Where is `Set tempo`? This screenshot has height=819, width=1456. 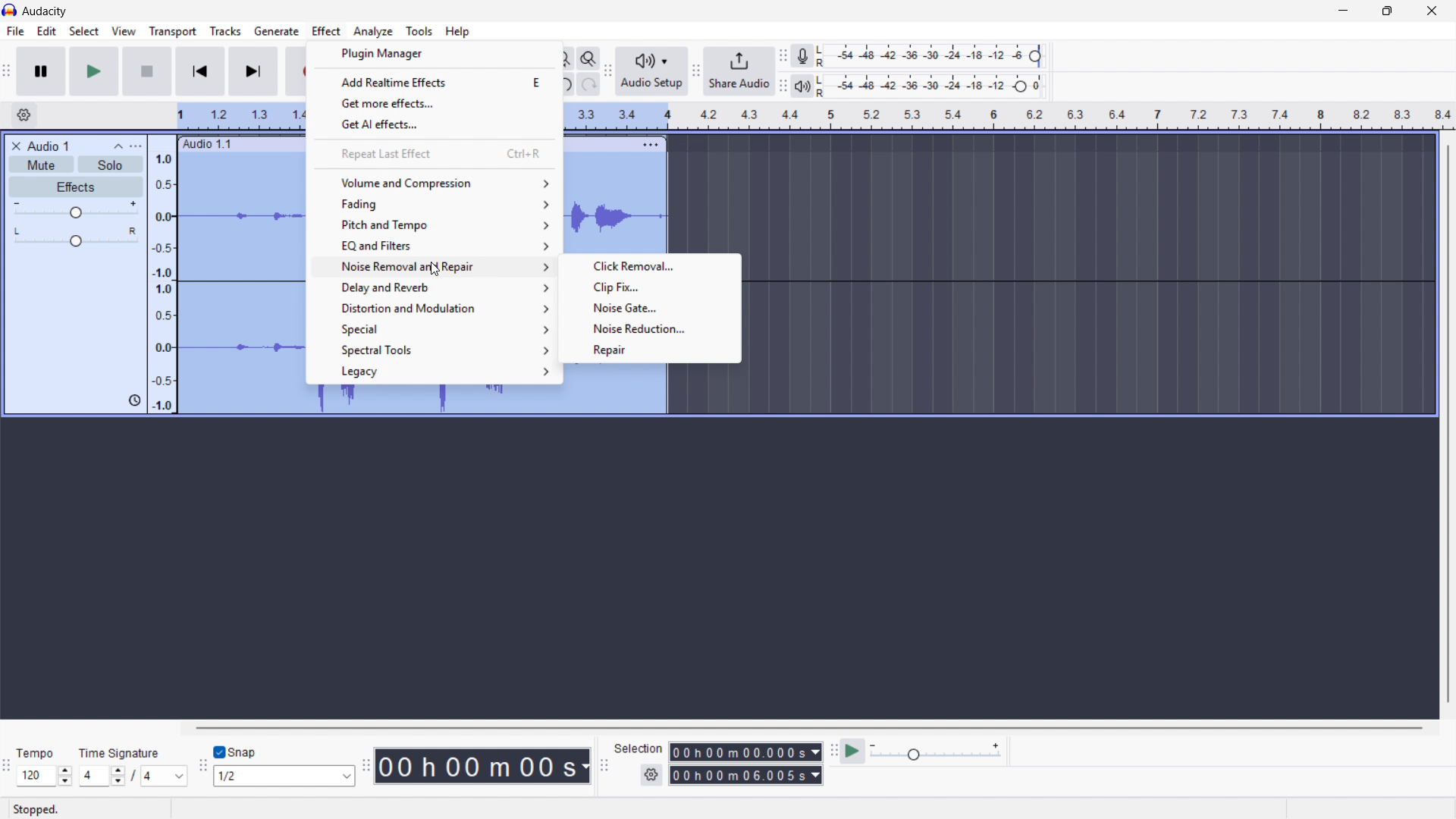
Set tempo is located at coordinates (43, 767).